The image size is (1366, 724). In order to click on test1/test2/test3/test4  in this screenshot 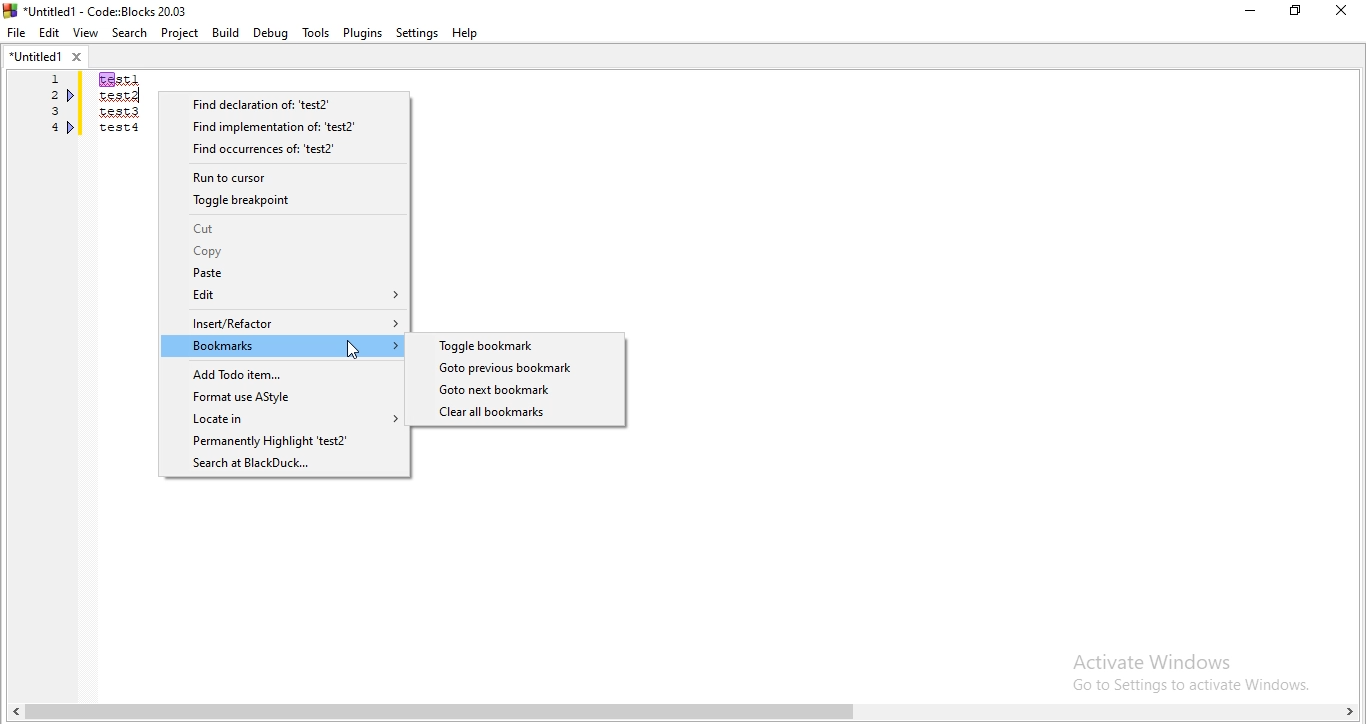, I will do `click(120, 104)`.